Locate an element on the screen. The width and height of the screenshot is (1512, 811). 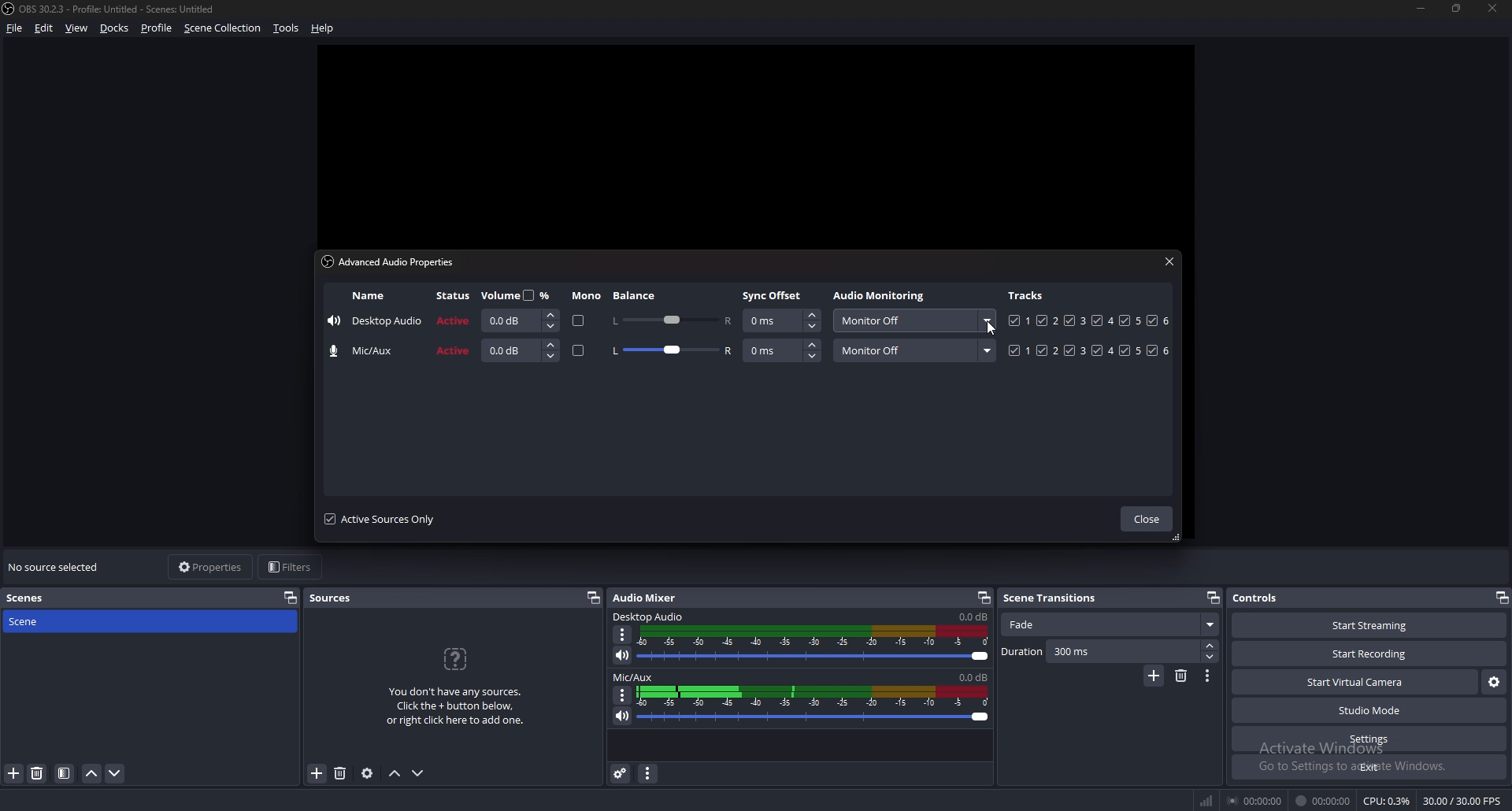
mono is located at coordinates (576, 321).